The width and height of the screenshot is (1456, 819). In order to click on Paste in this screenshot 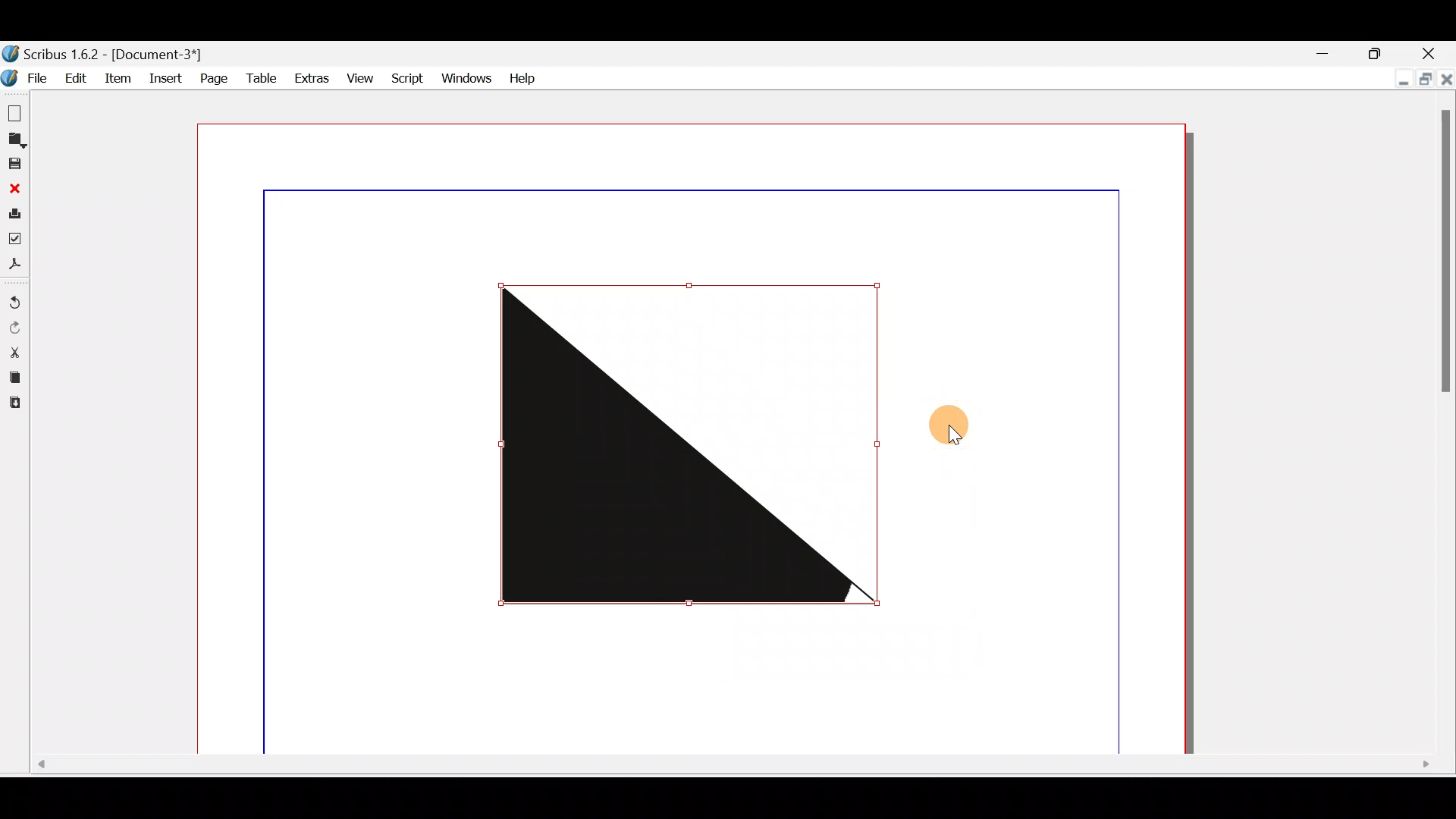, I will do `click(19, 403)`.